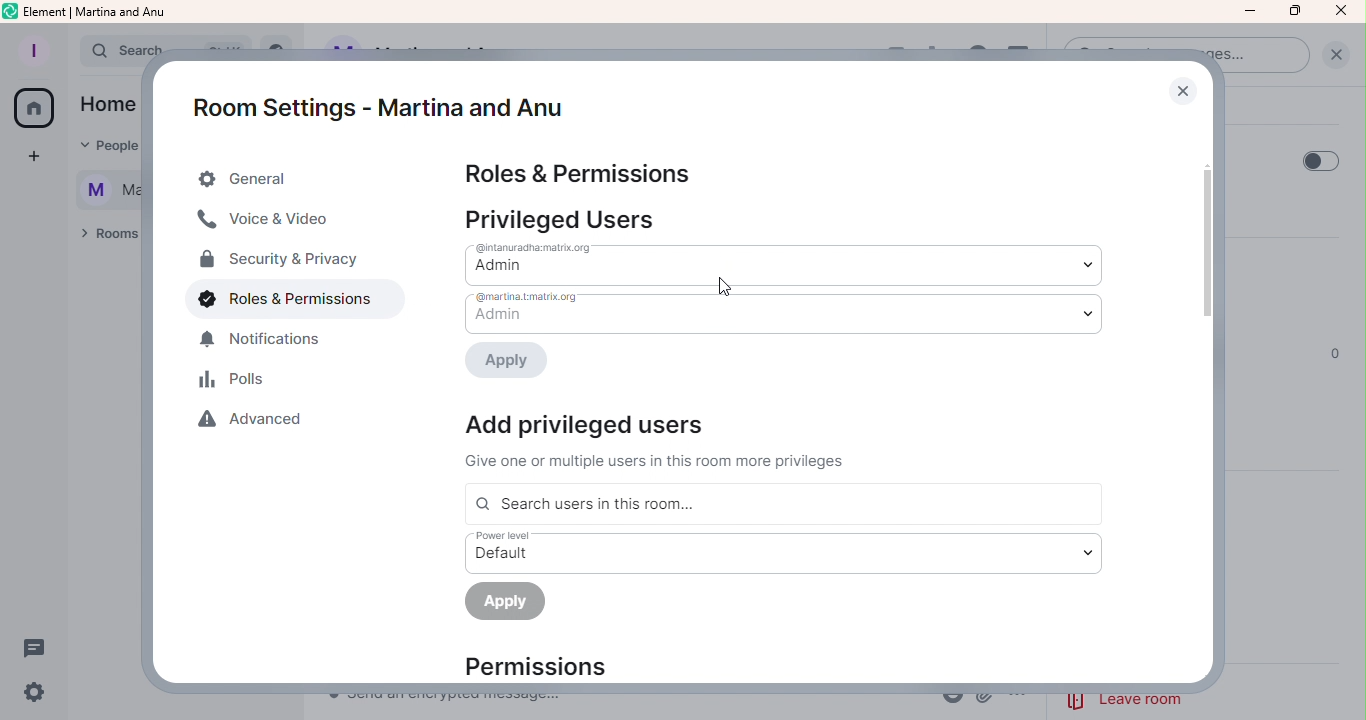 Image resolution: width=1366 pixels, height=720 pixels. What do you see at coordinates (29, 157) in the screenshot?
I see `Create a space` at bounding box center [29, 157].